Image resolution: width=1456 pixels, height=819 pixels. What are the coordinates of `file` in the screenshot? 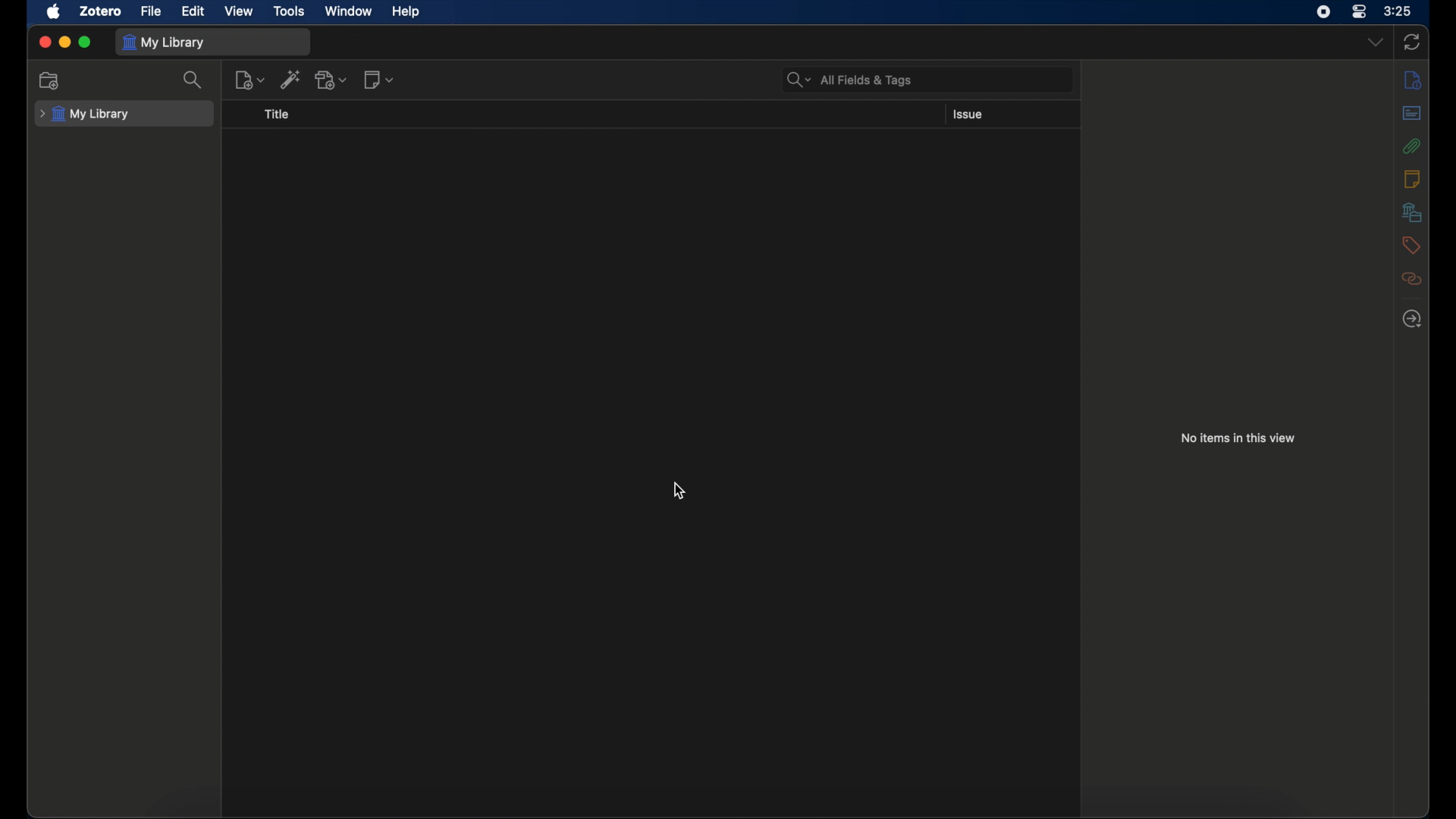 It's located at (150, 11).